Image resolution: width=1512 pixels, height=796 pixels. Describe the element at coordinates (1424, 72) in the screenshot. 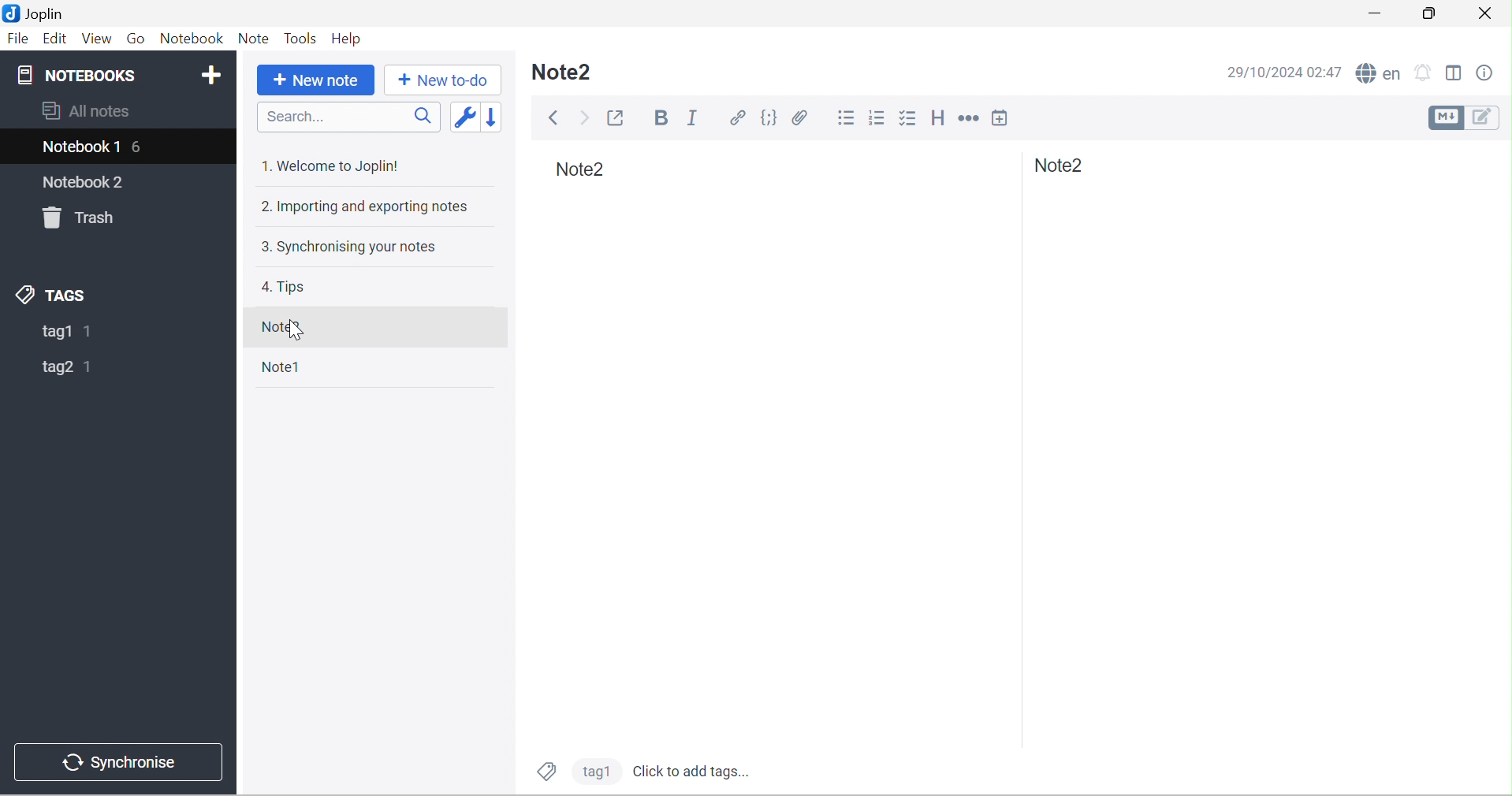

I see `Set alarm` at that location.